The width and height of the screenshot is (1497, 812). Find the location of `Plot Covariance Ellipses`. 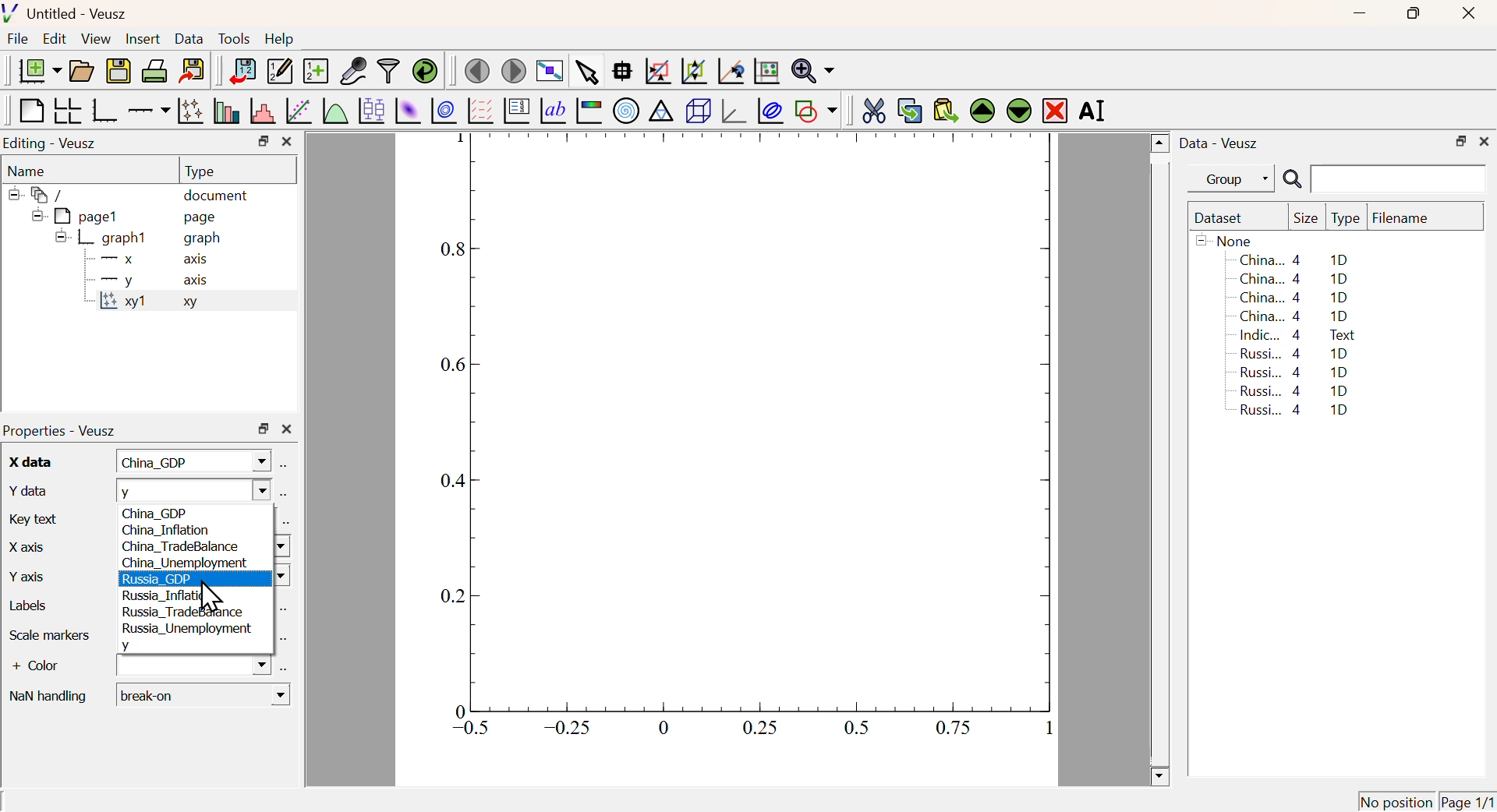

Plot Covariance Ellipses is located at coordinates (770, 112).